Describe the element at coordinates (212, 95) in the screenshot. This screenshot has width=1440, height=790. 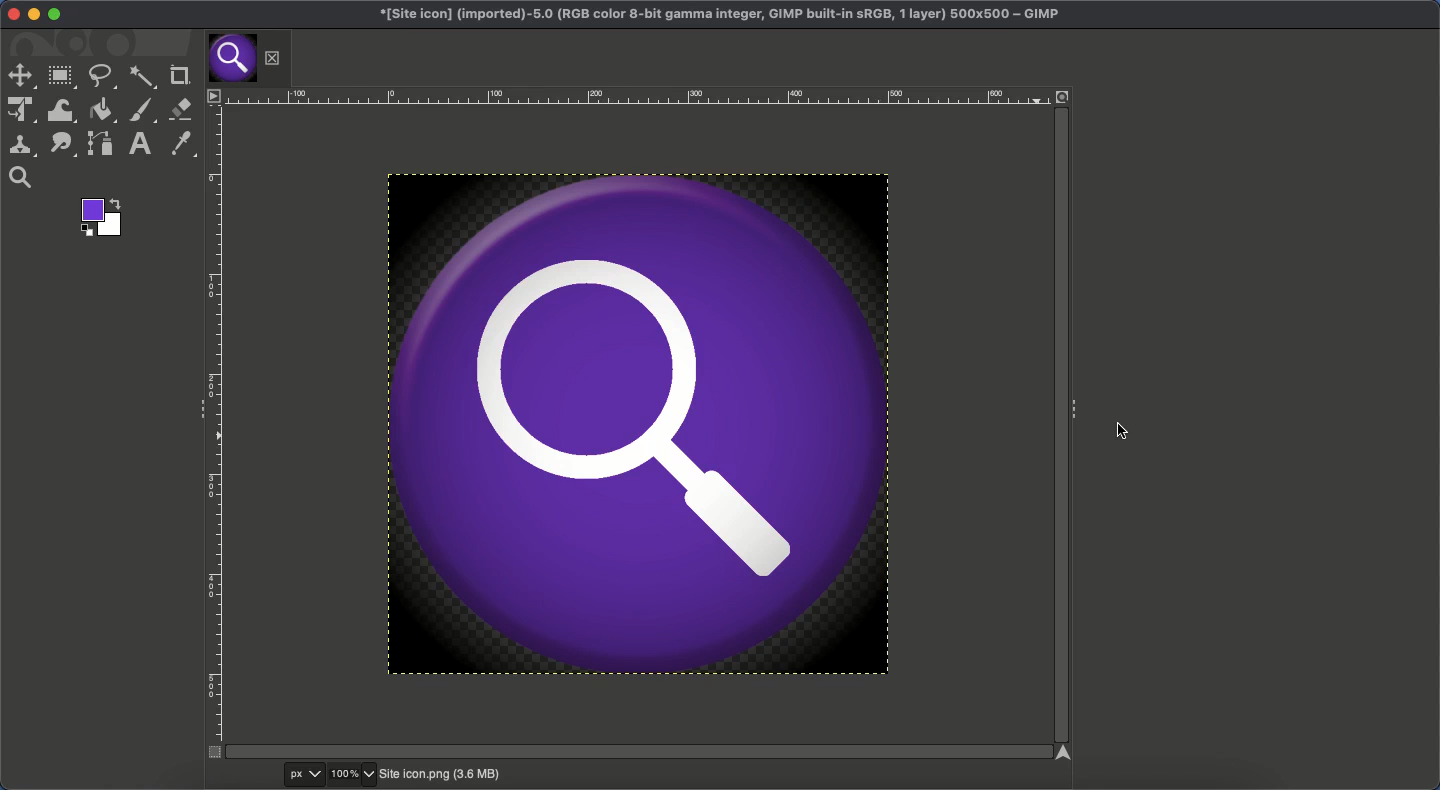
I see `Menu` at that location.